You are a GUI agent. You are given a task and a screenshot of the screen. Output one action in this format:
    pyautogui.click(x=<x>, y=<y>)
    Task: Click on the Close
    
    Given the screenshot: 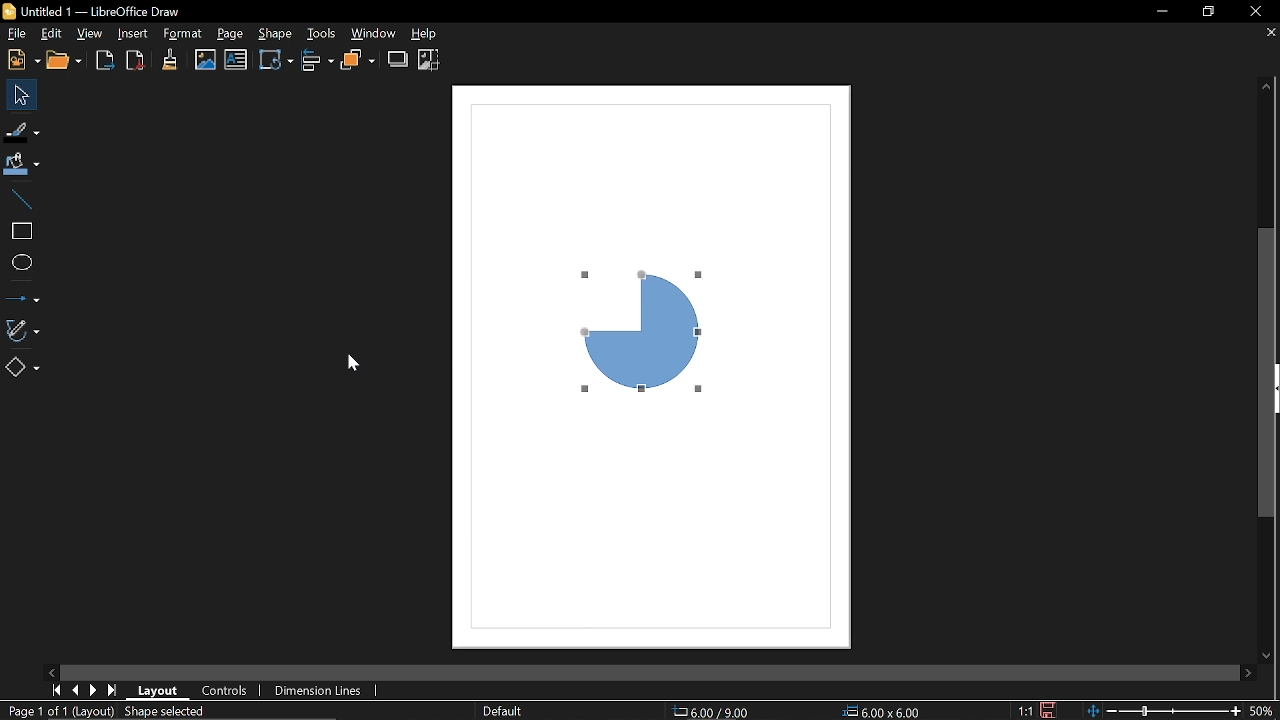 What is the action you would take?
    pyautogui.click(x=1256, y=12)
    